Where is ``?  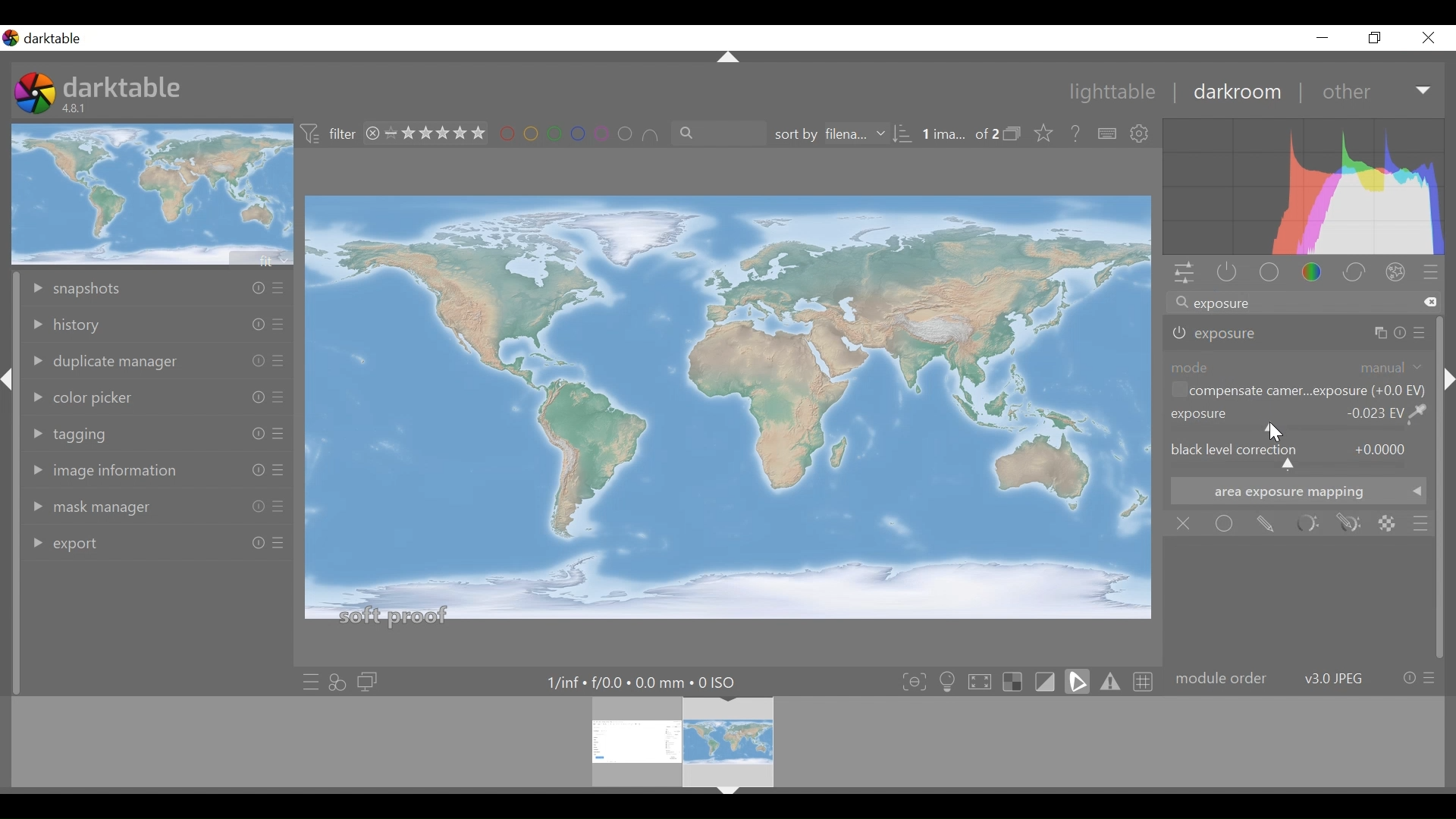
 is located at coordinates (278, 290).